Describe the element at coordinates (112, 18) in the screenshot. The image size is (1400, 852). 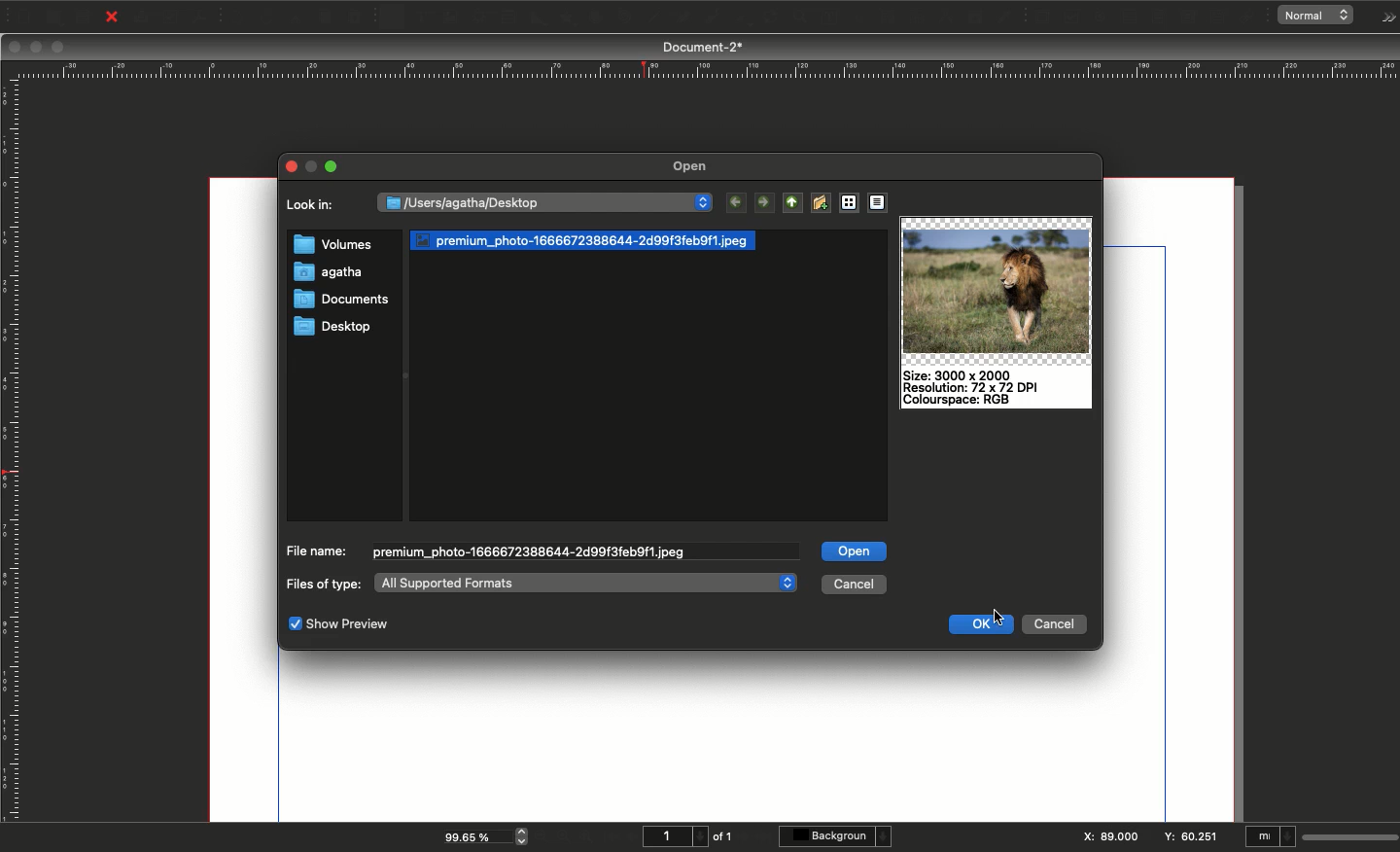
I see `Close` at that location.